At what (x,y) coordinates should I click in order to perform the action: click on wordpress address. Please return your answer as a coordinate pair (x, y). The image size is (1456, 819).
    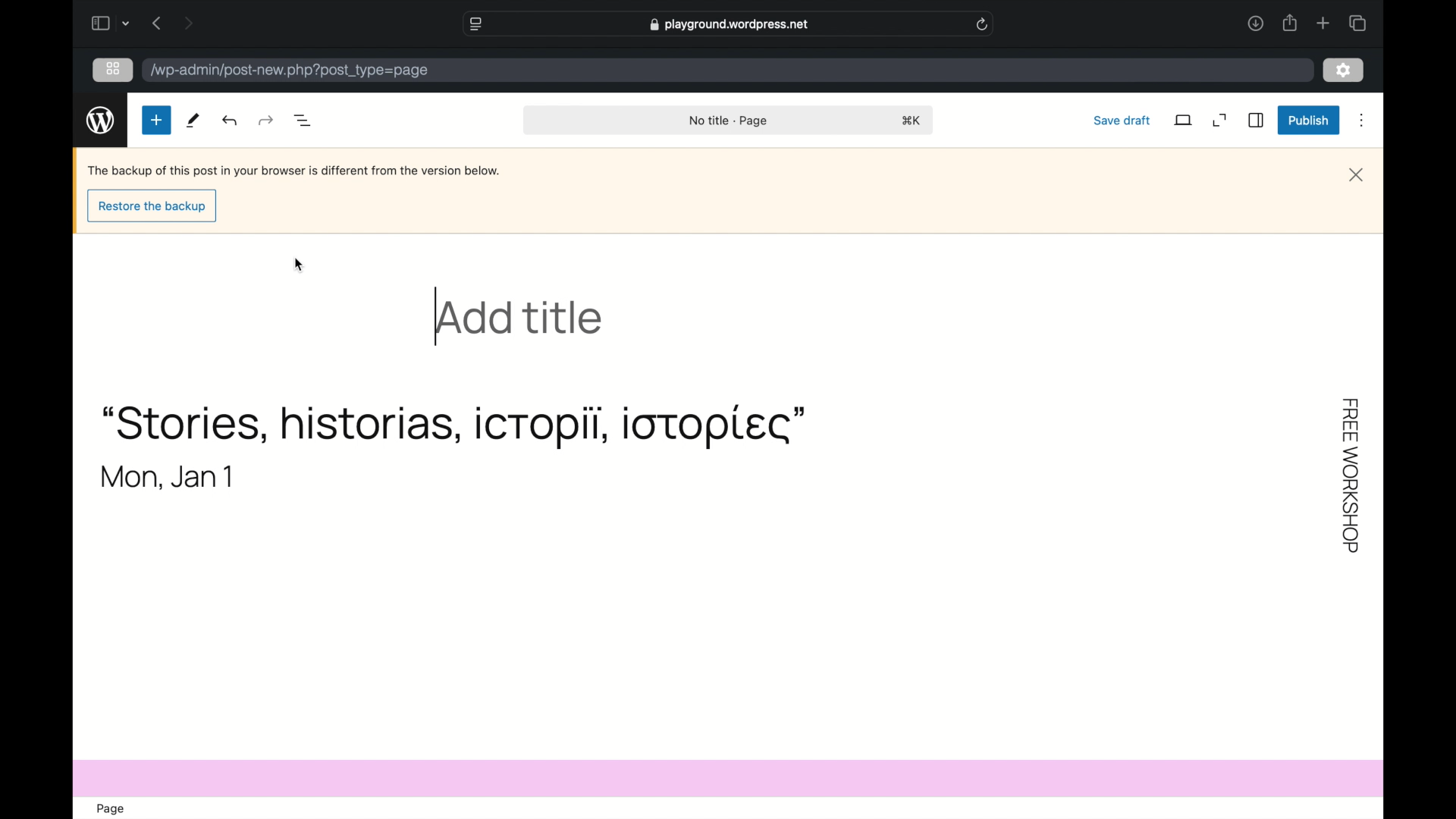
    Looking at the image, I should click on (288, 71).